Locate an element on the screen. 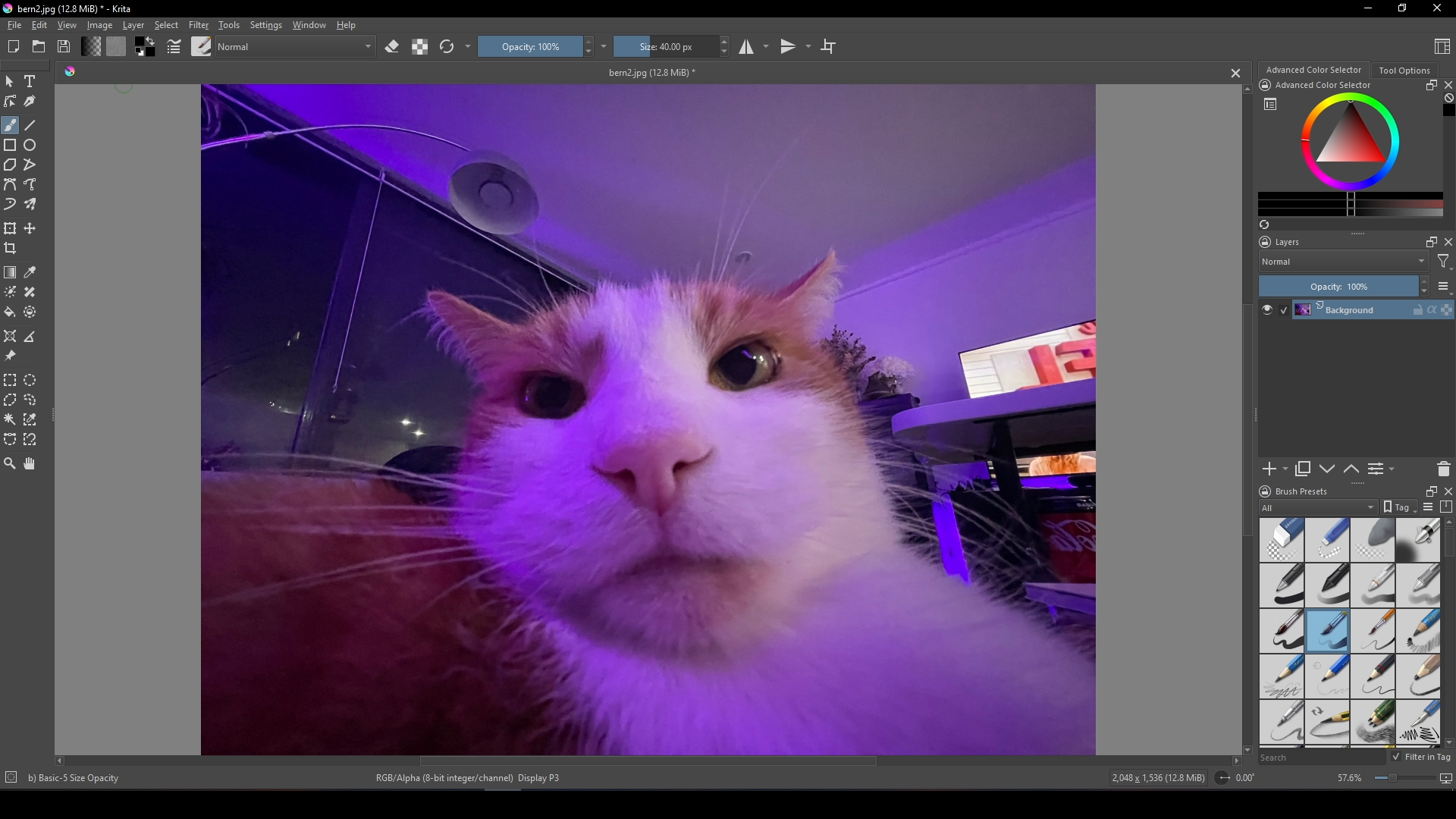 The height and width of the screenshot is (819, 1456). Opacity is located at coordinates (538, 46).